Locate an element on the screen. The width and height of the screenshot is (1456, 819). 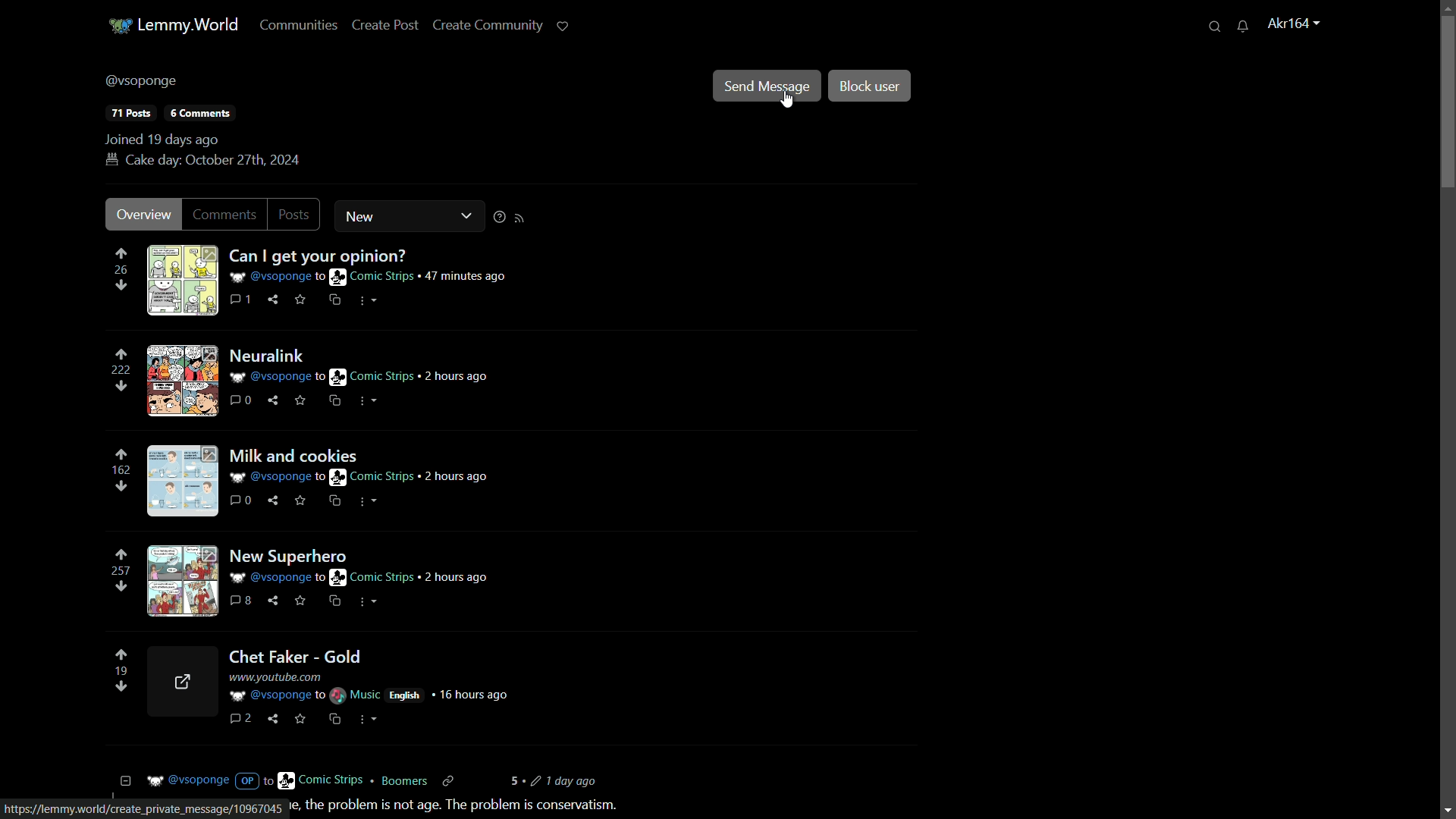
posts is located at coordinates (129, 114).